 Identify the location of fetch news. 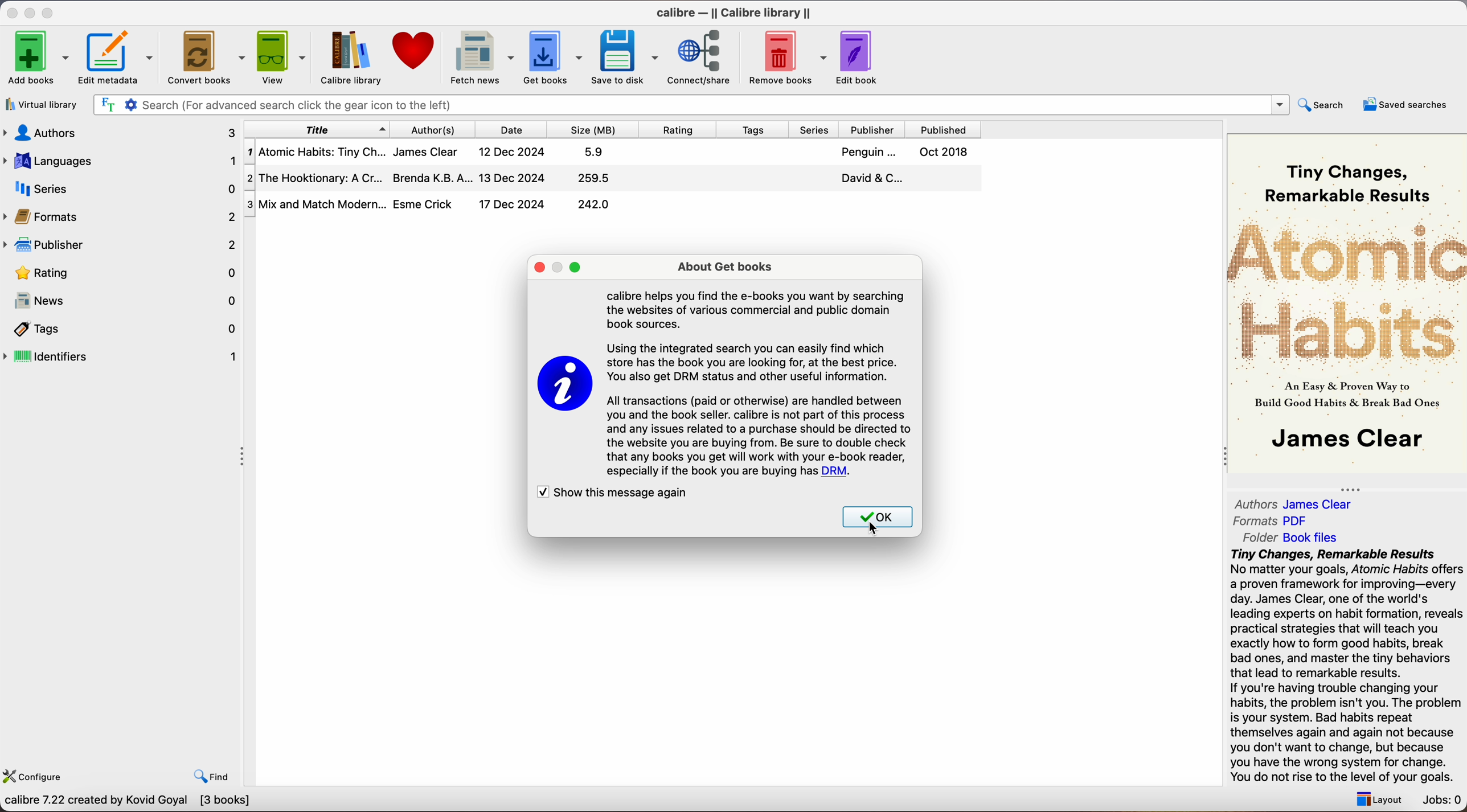
(480, 58).